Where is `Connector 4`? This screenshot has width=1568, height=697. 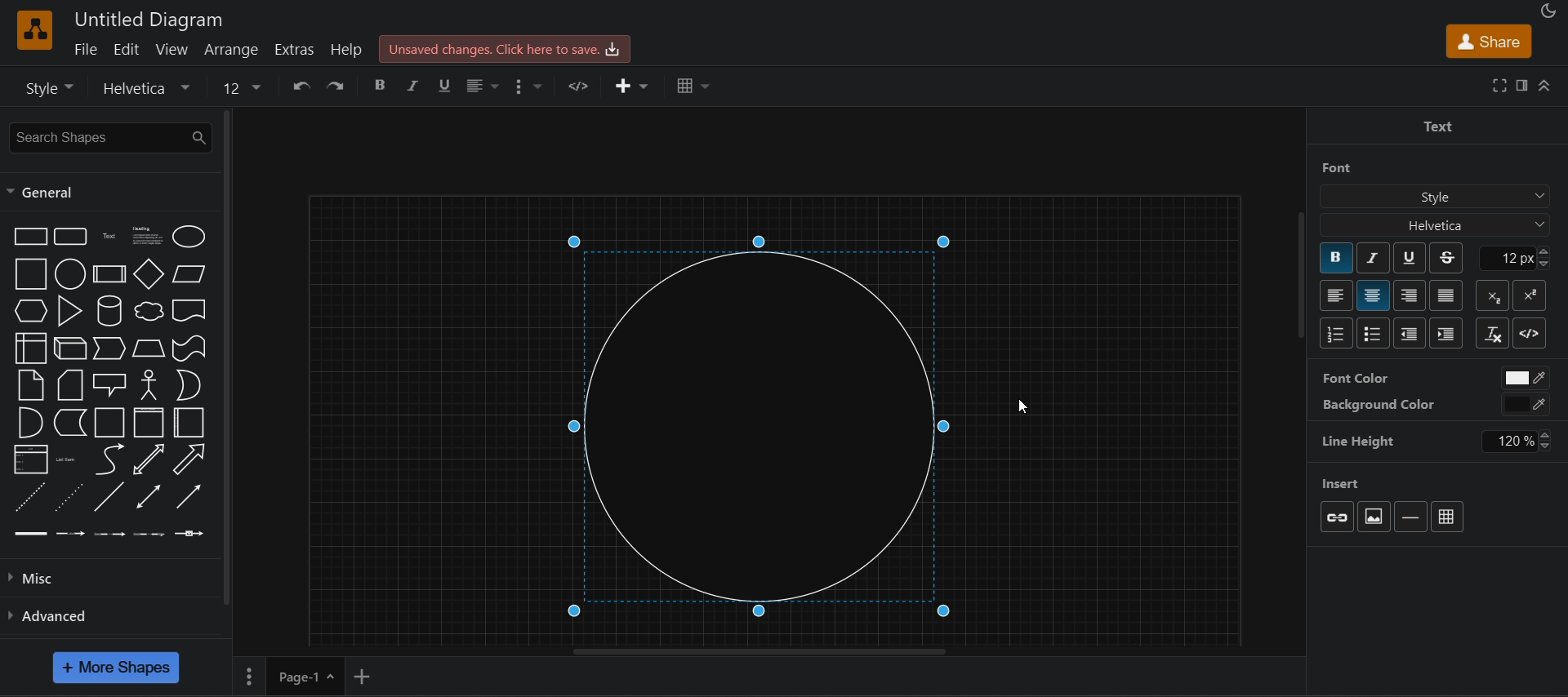 Connector 4 is located at coordinates (147, 534).